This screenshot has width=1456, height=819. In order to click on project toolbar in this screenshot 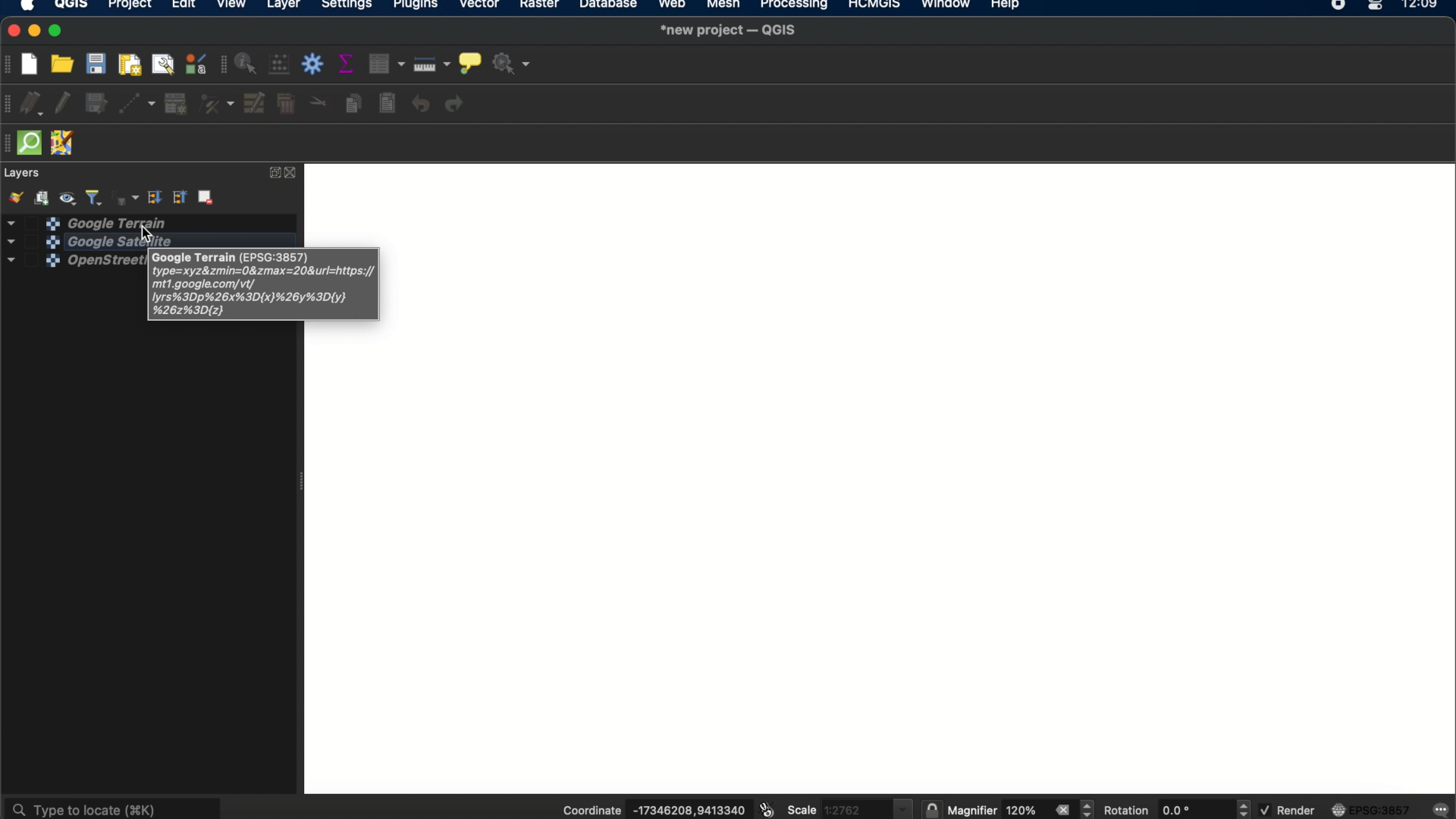, I will do `click(9, 64)`.